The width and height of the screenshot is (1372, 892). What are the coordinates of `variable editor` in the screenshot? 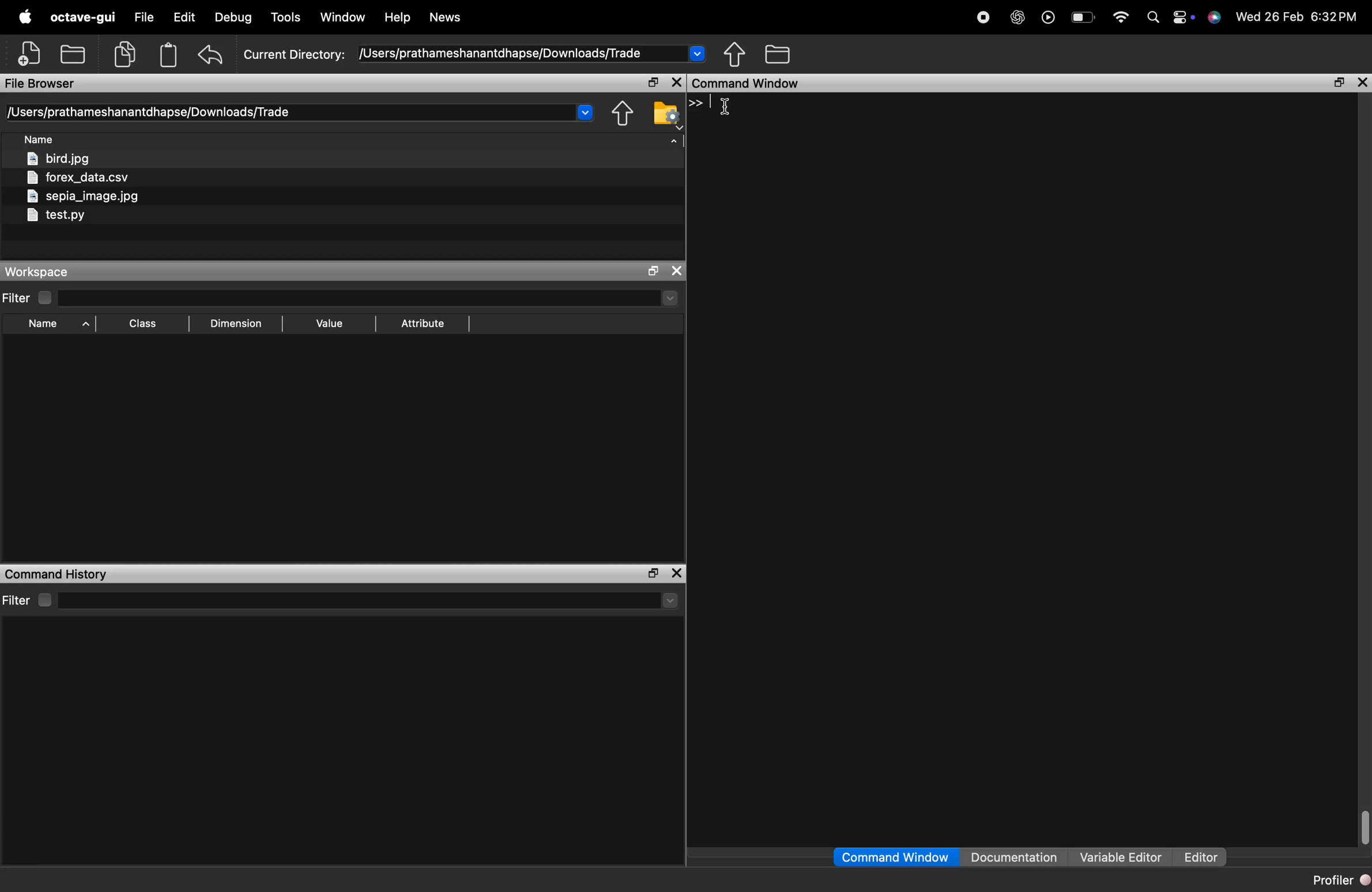 It's located at (1121, 857).